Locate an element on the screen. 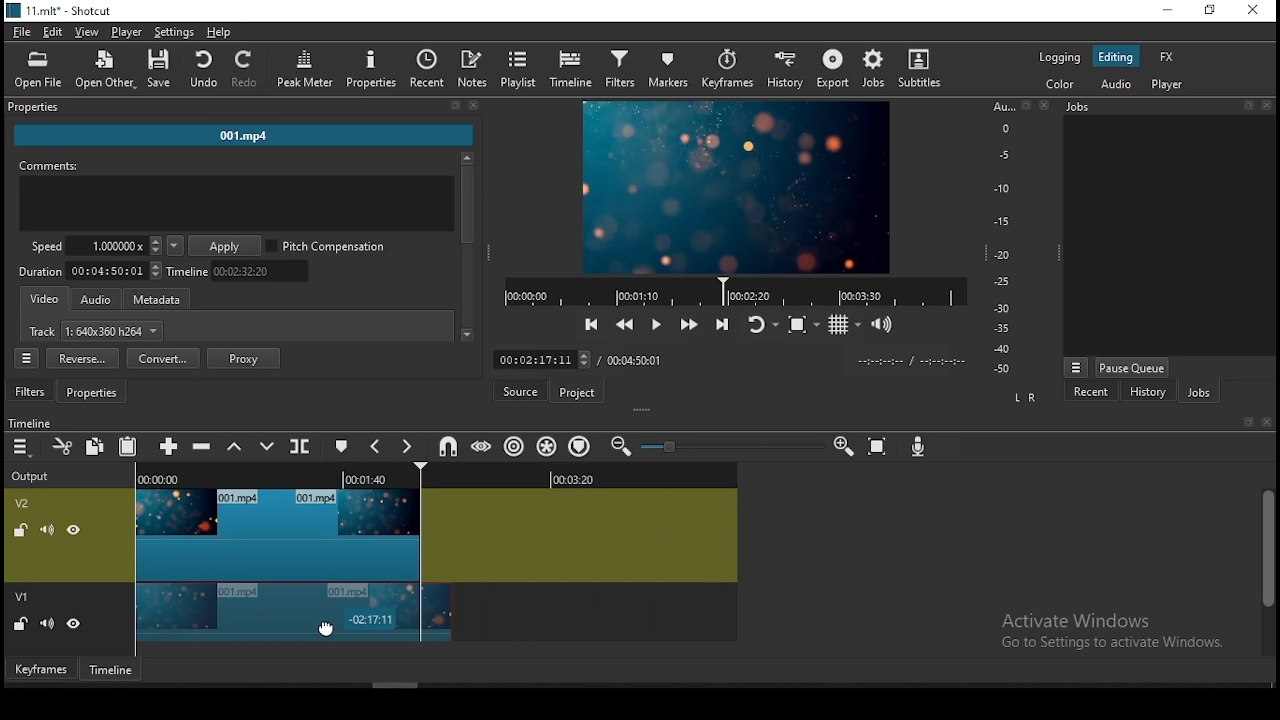  open file is located at coordinates (38, 67).